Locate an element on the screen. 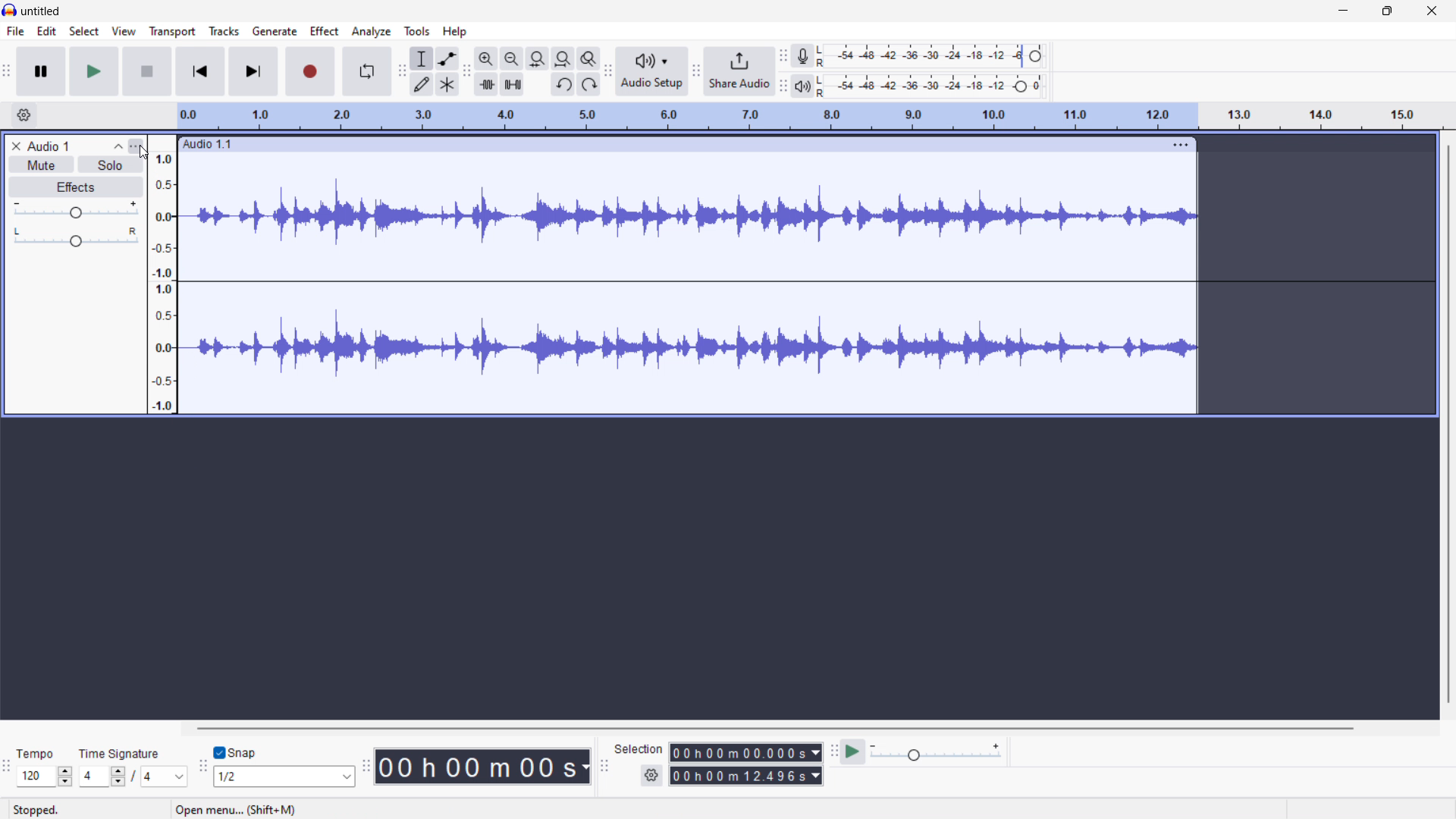 The width and height of the screenshot is (1456, 819). view is located at coordinates (124, 31).